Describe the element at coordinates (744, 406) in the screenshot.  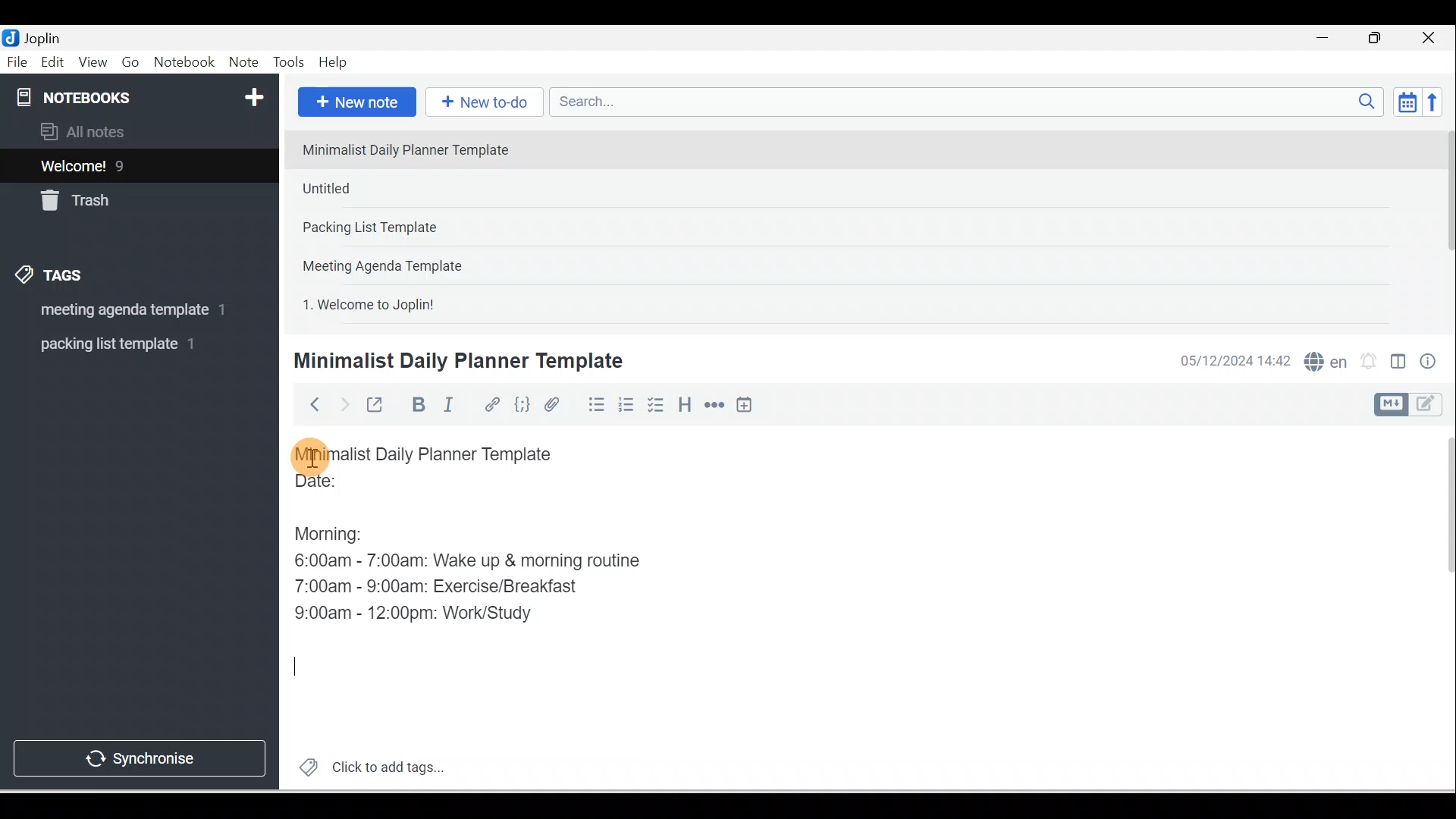
I see `Insert time` at that location.